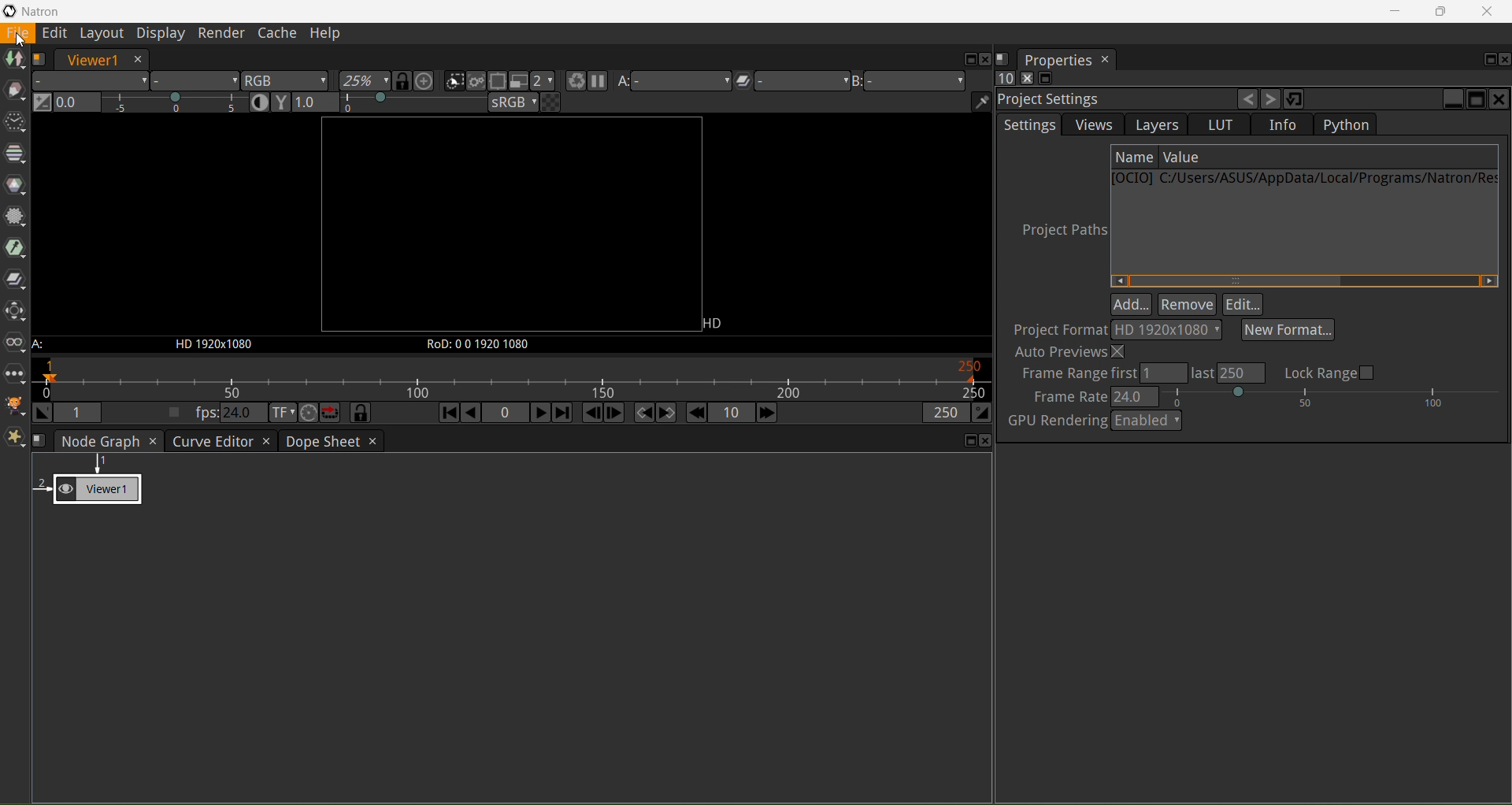 Image resolution: width=1512 pixels, height=805 pixels. I want to click on If checked, the viewer draws a checkerboard under Input A instead of black, so click(552, 103).